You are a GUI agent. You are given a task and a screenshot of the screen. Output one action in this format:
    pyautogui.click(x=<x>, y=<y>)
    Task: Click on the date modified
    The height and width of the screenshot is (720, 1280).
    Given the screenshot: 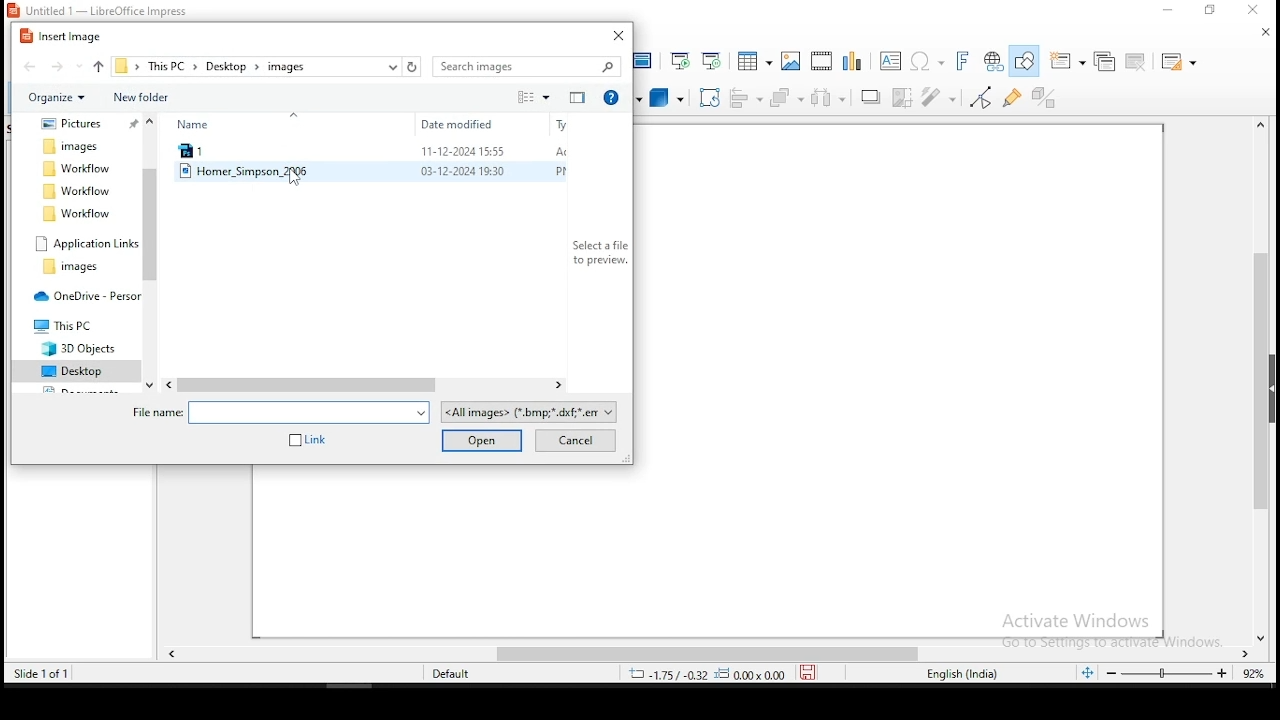 What is the action you would take?
    pyautogui.click(x=451, y=122)
    